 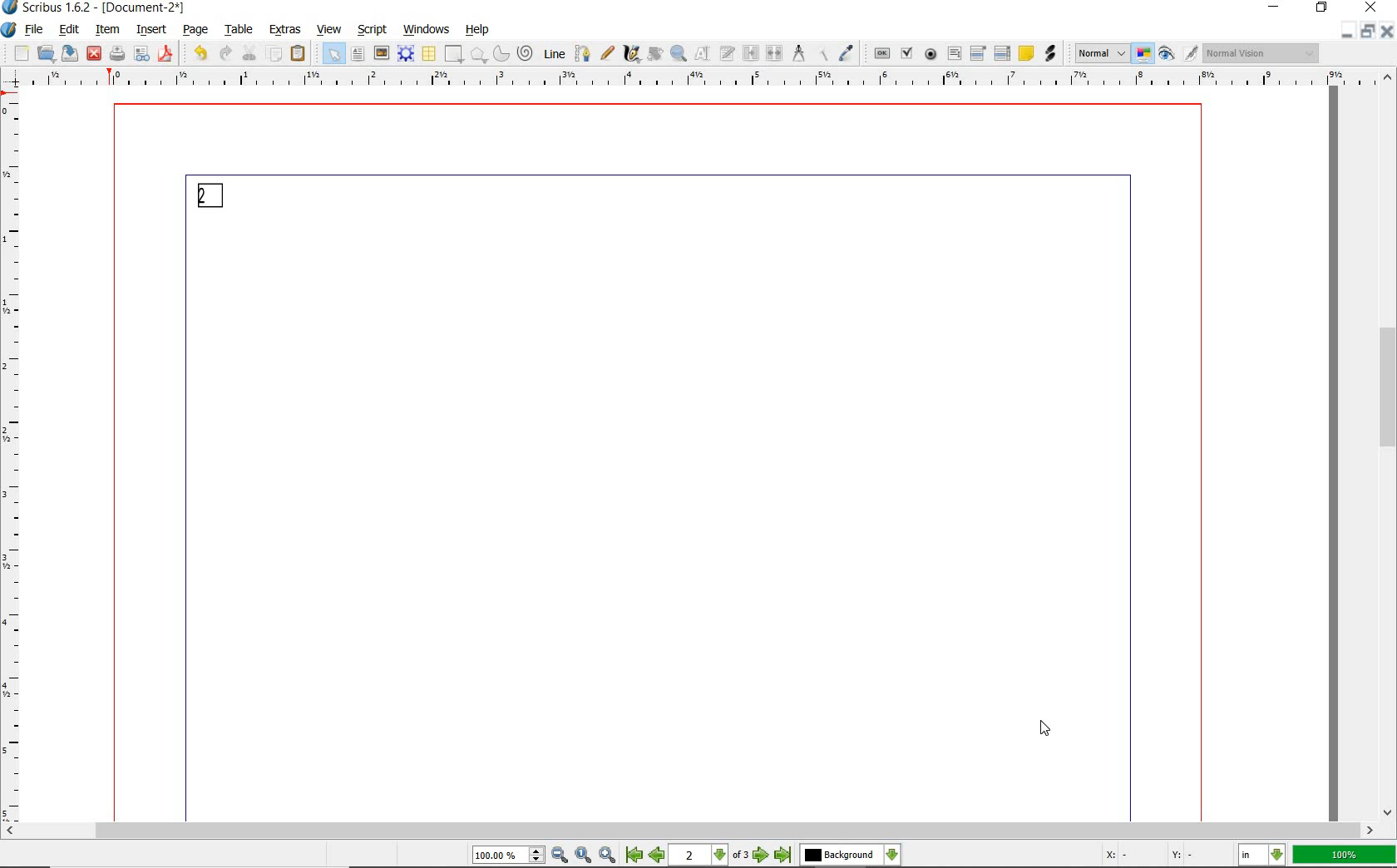 What do you see at coordinates (501, 55) in the screenshot?
I see `arc` at bounding box center [501, 55].